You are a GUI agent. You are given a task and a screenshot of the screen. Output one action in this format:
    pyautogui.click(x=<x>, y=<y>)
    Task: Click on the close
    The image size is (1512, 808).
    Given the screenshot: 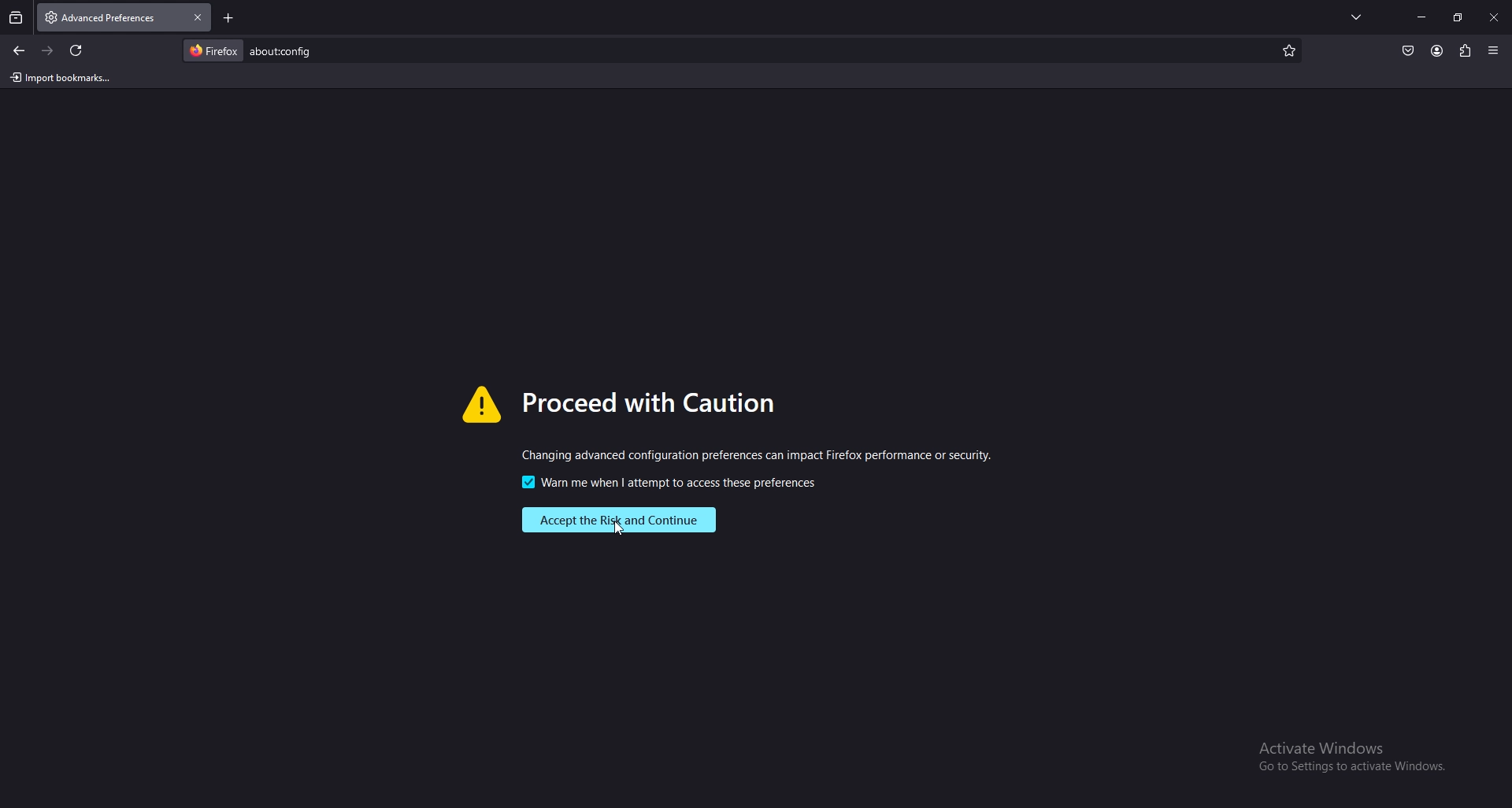 What is the action you would take?
    pyautogui.click(x=1493, y=19)
    